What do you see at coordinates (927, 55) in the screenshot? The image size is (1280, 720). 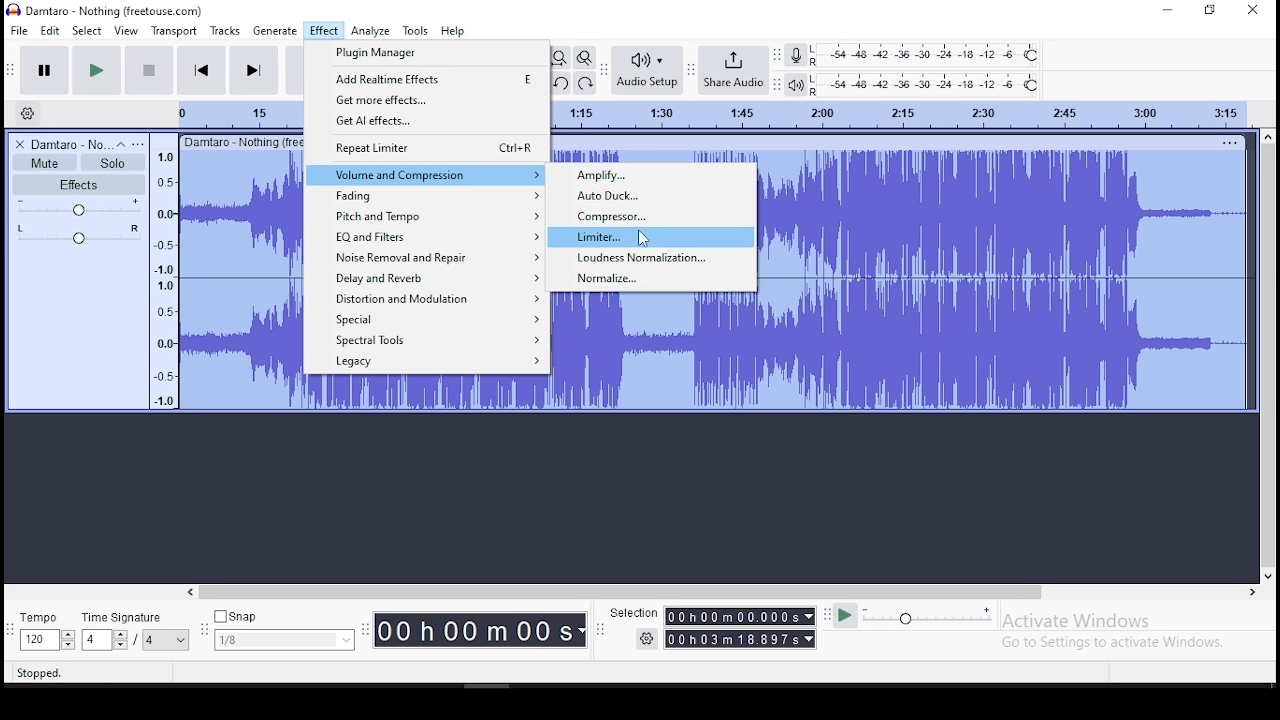 I see `recording level` at bounding box center [927, 55].